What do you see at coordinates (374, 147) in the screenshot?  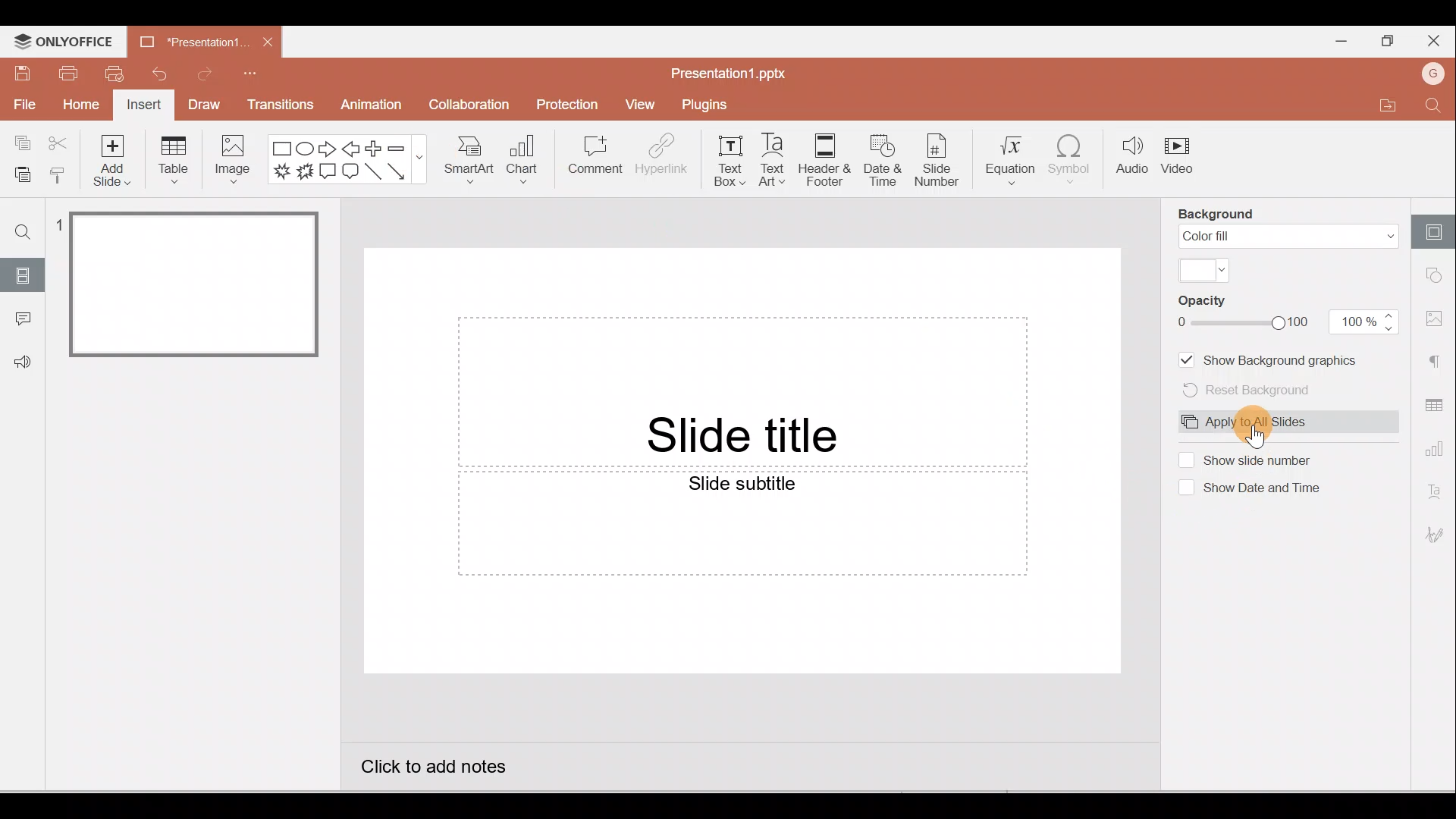 I see `Plus` at bounding box center [374, 147].